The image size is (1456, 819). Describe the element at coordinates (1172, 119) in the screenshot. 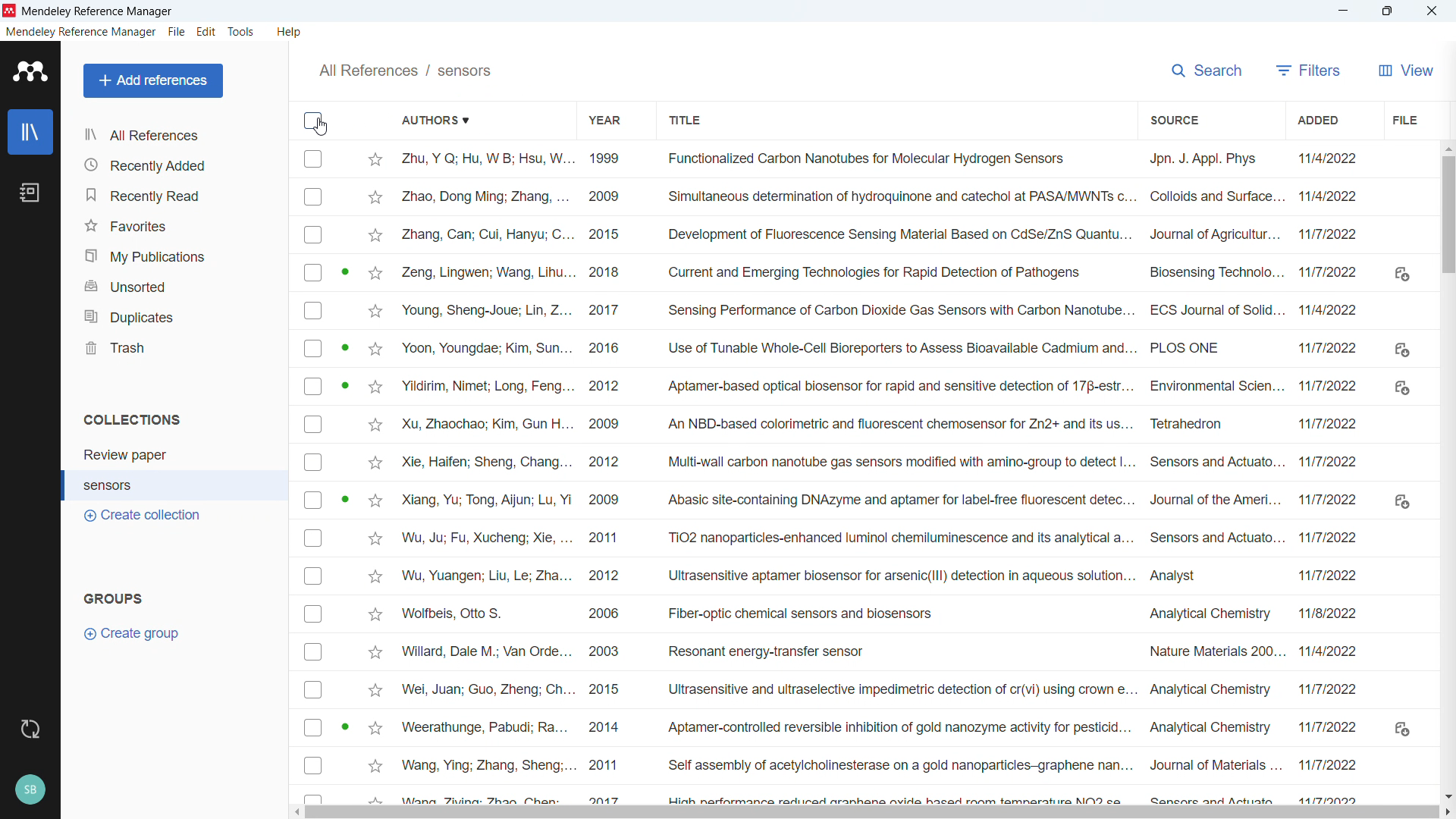

I see `Sort by source ` at that location.